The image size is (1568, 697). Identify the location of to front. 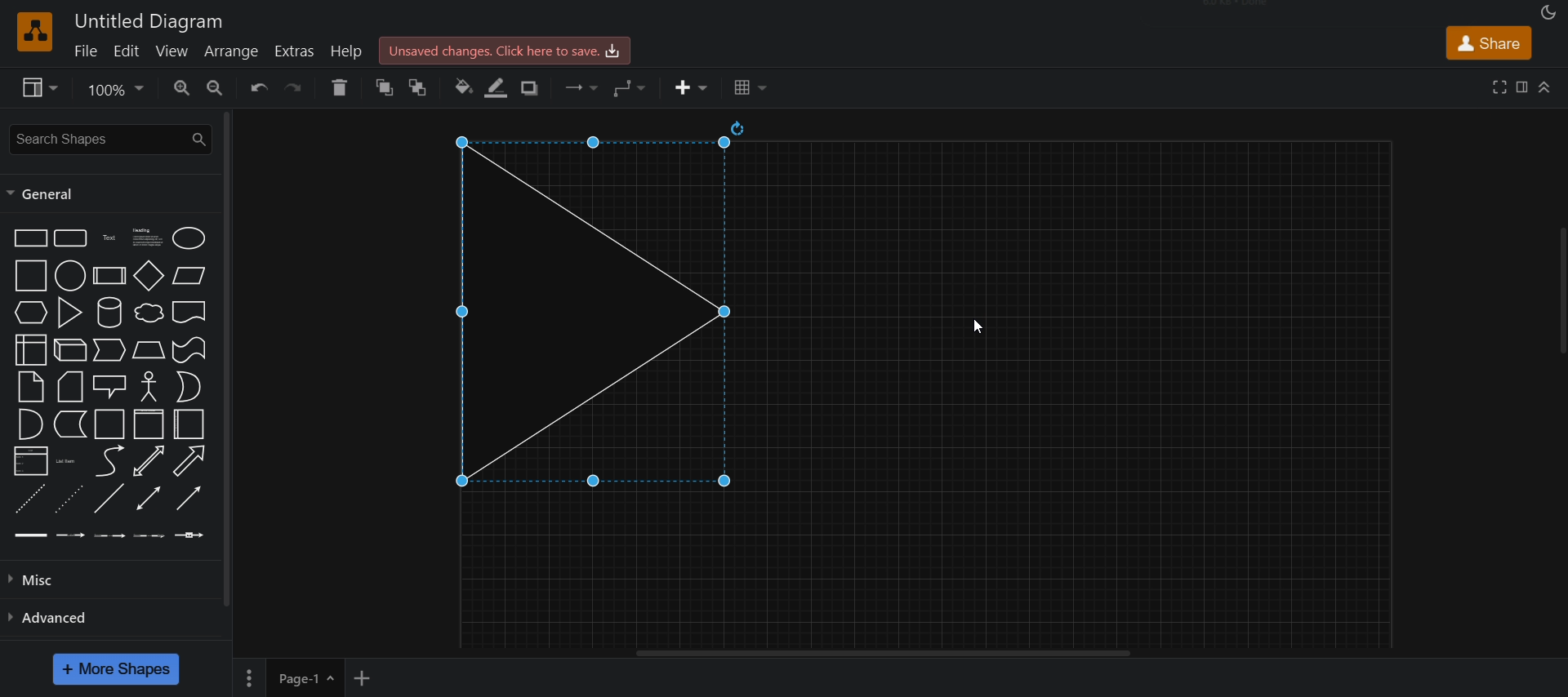
(381, 86).